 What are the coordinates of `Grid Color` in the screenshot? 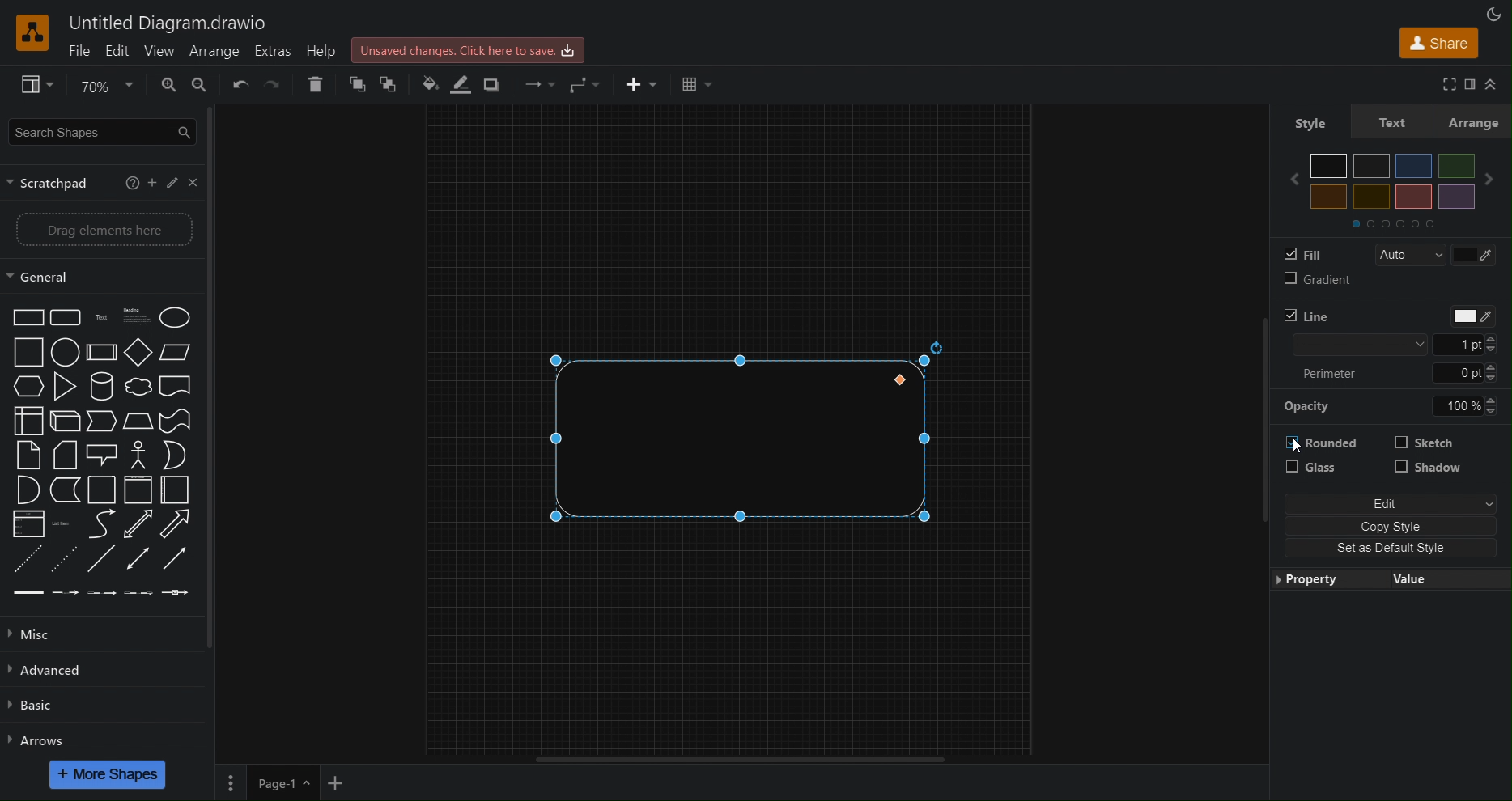 It's located at (1481, 256).